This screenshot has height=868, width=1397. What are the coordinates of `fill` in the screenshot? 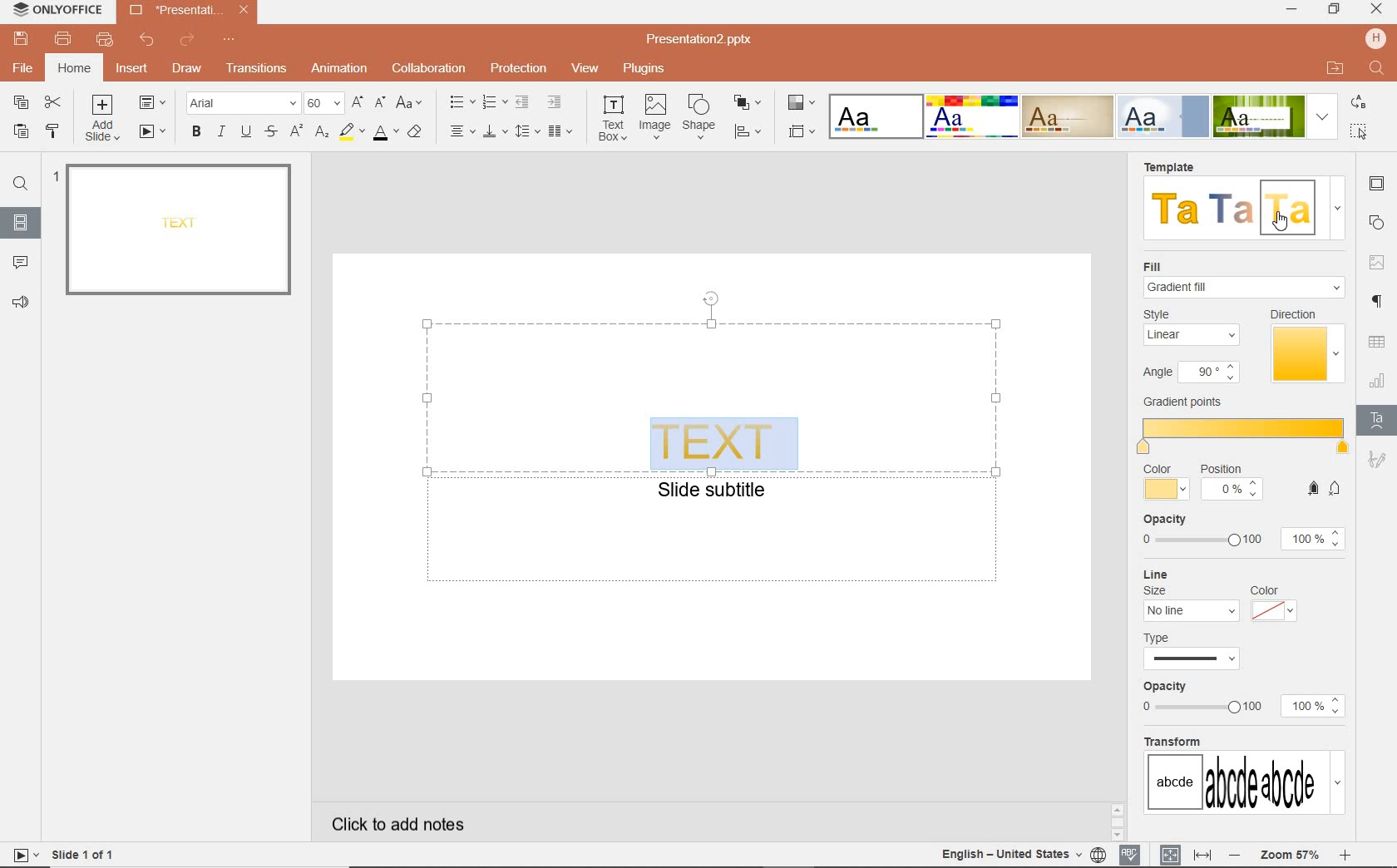 It's located at (1243, 281).